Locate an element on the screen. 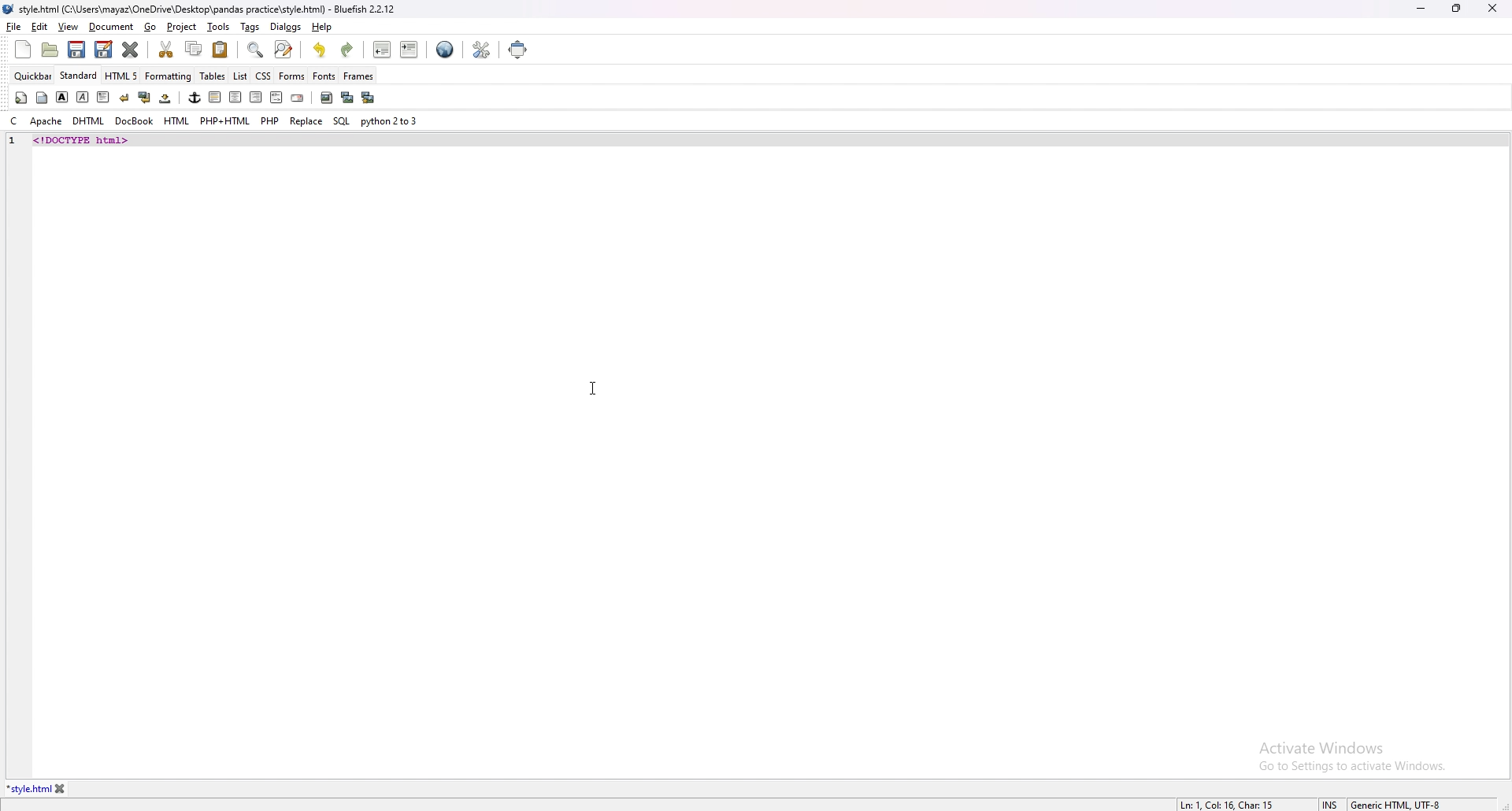 This screenshot has height=811, width=1512. tools is located at coordinates (219, 27).